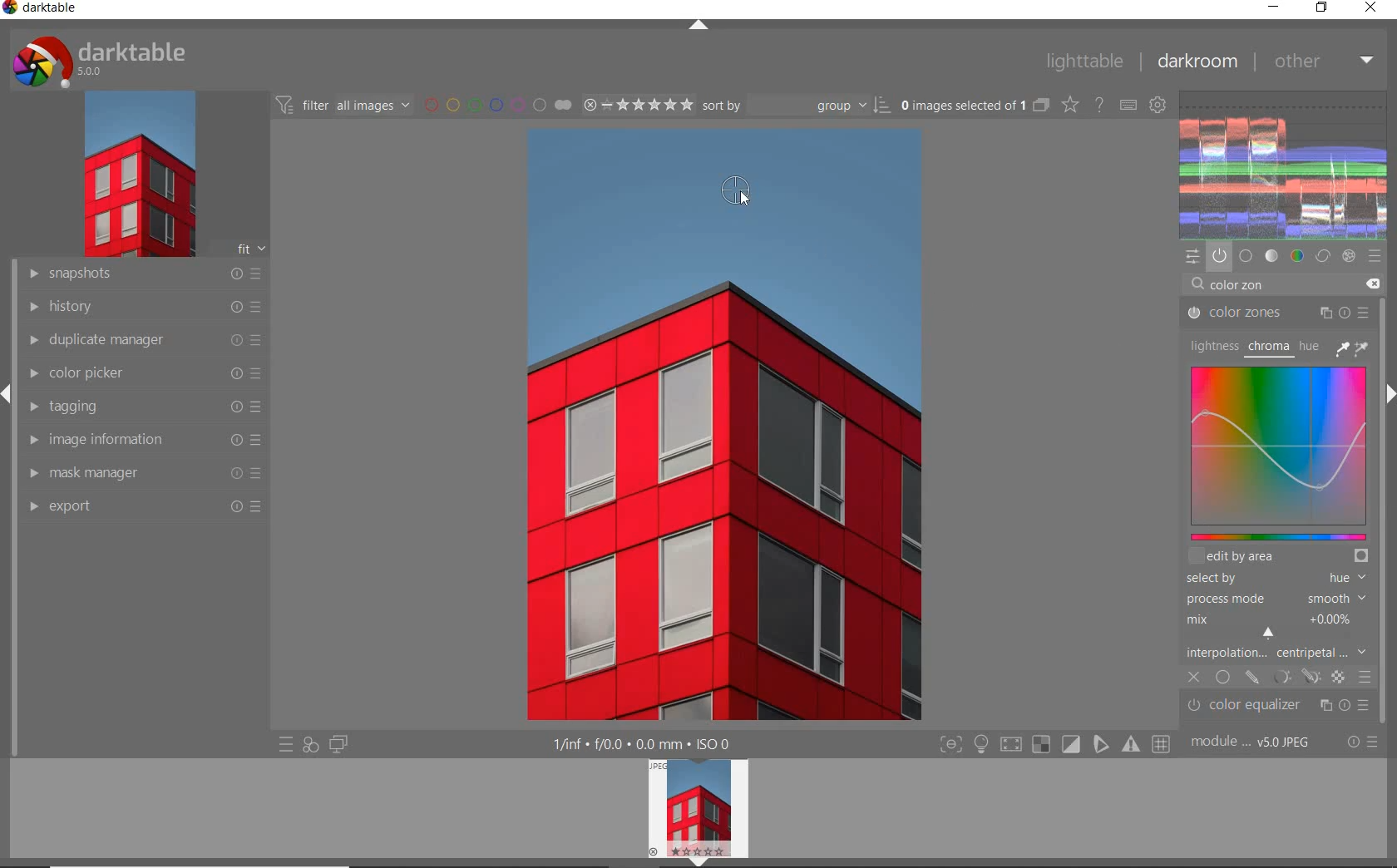 This screenshot has height=868, width=1397. Describe the element at coordinates (142, 441) in the screenshot. I see `image information` at that location.